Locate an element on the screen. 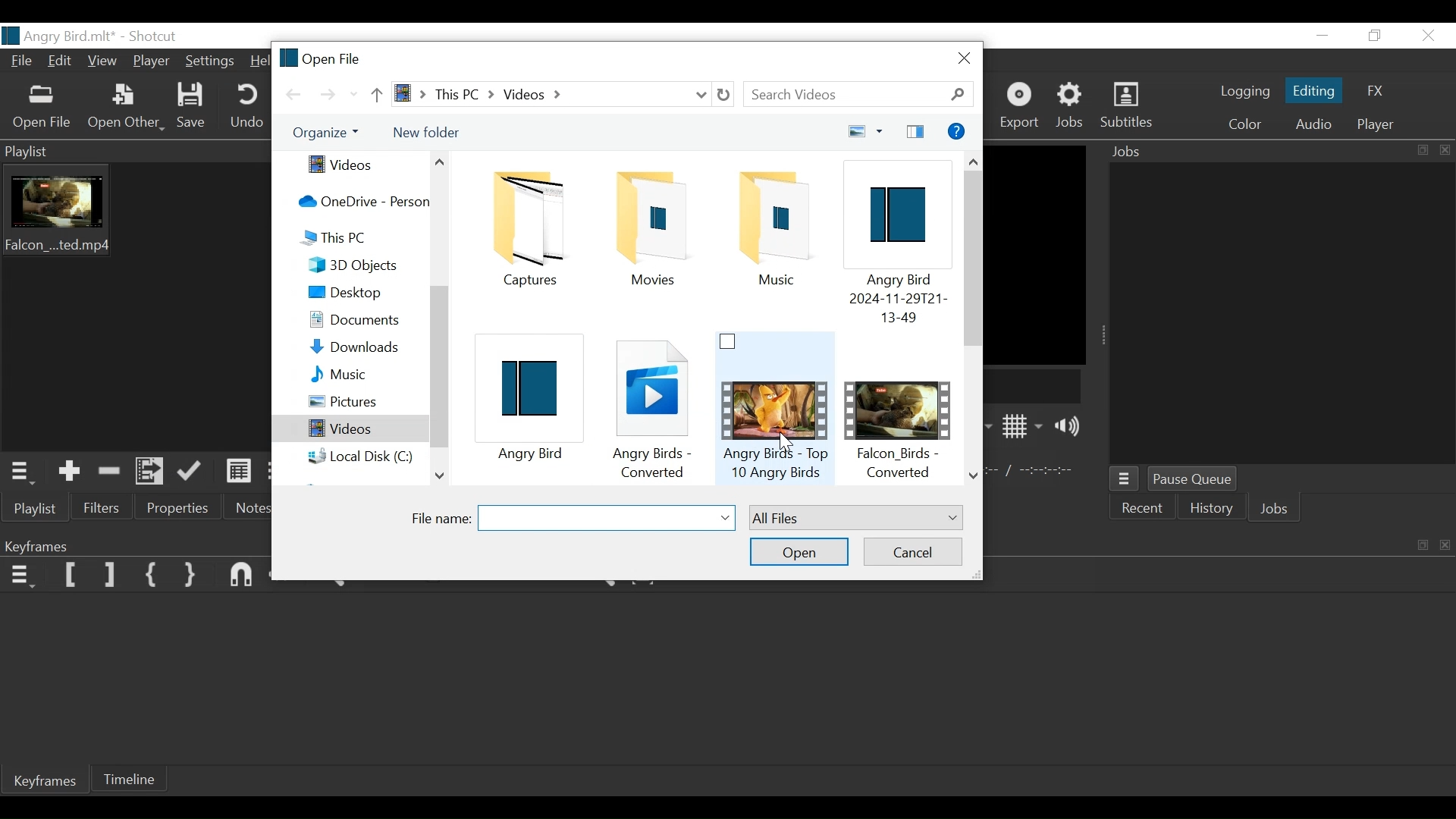  Add files to Playlist is located at coordinates (148, 472).